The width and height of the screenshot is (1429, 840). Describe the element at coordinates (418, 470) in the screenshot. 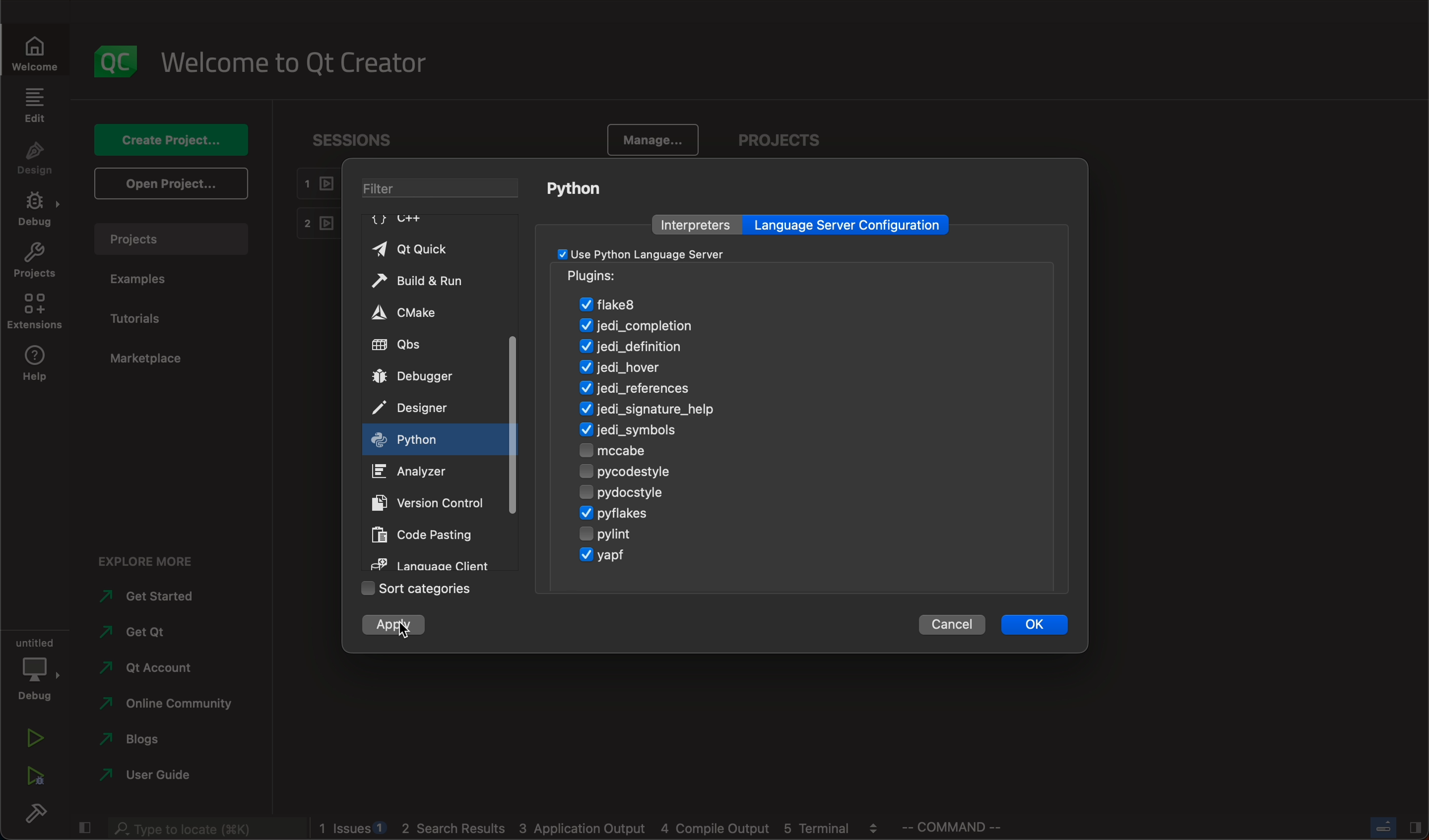

I see `analyzer` at that location.